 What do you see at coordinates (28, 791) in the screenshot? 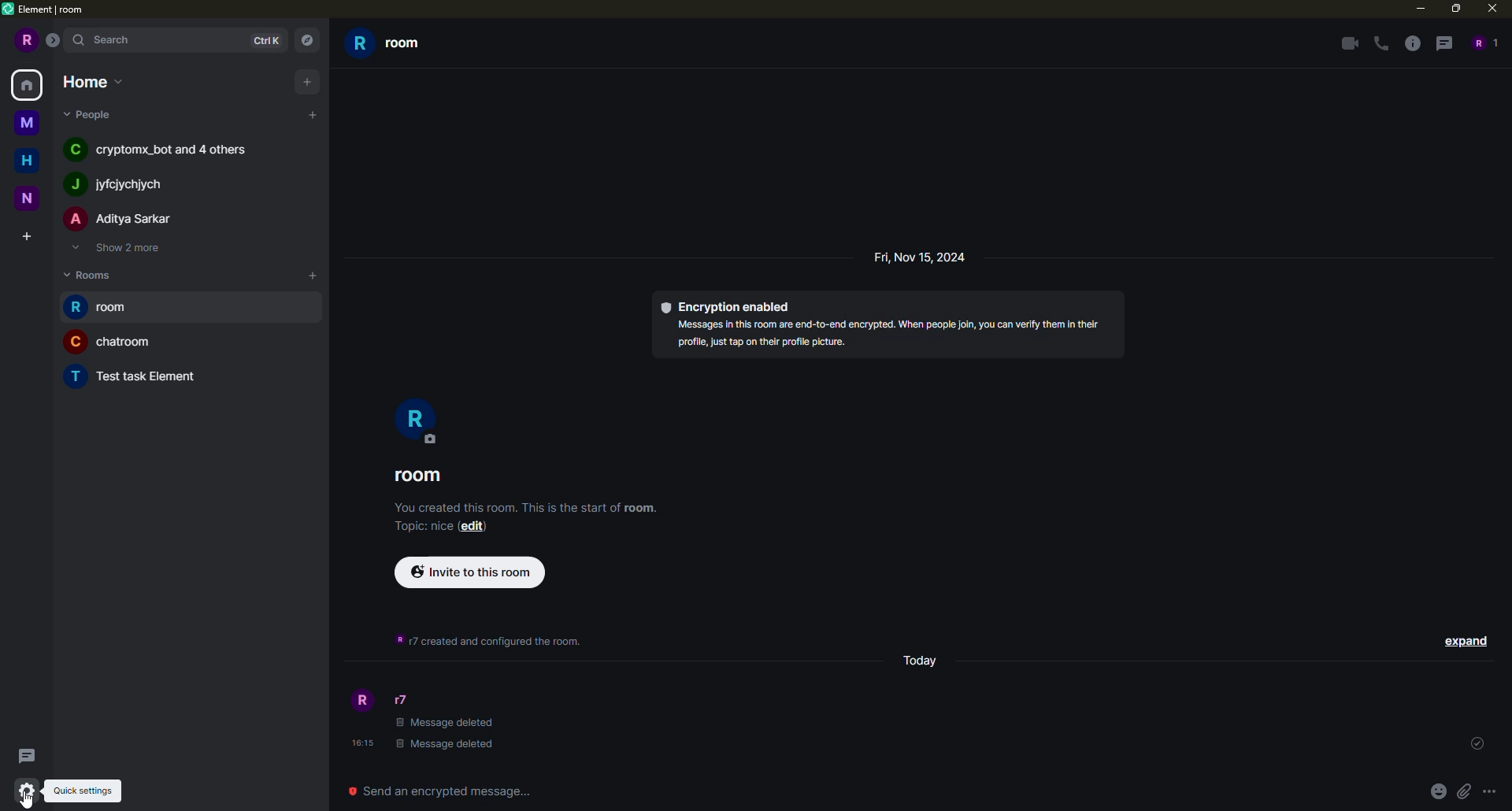
I see `click` at bounding box center [28, 791].